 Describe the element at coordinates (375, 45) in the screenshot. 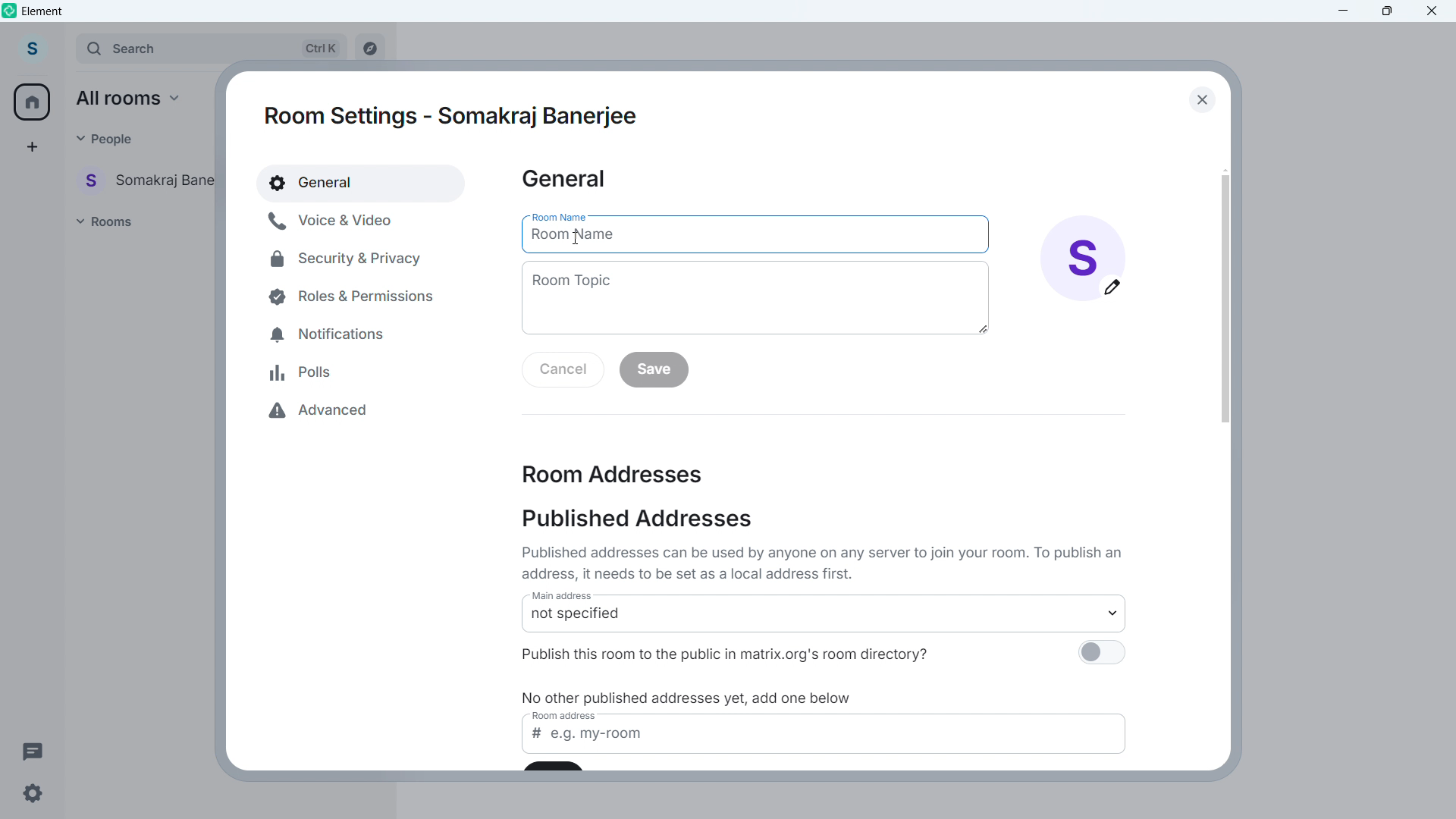

I see `explore room` at that location.